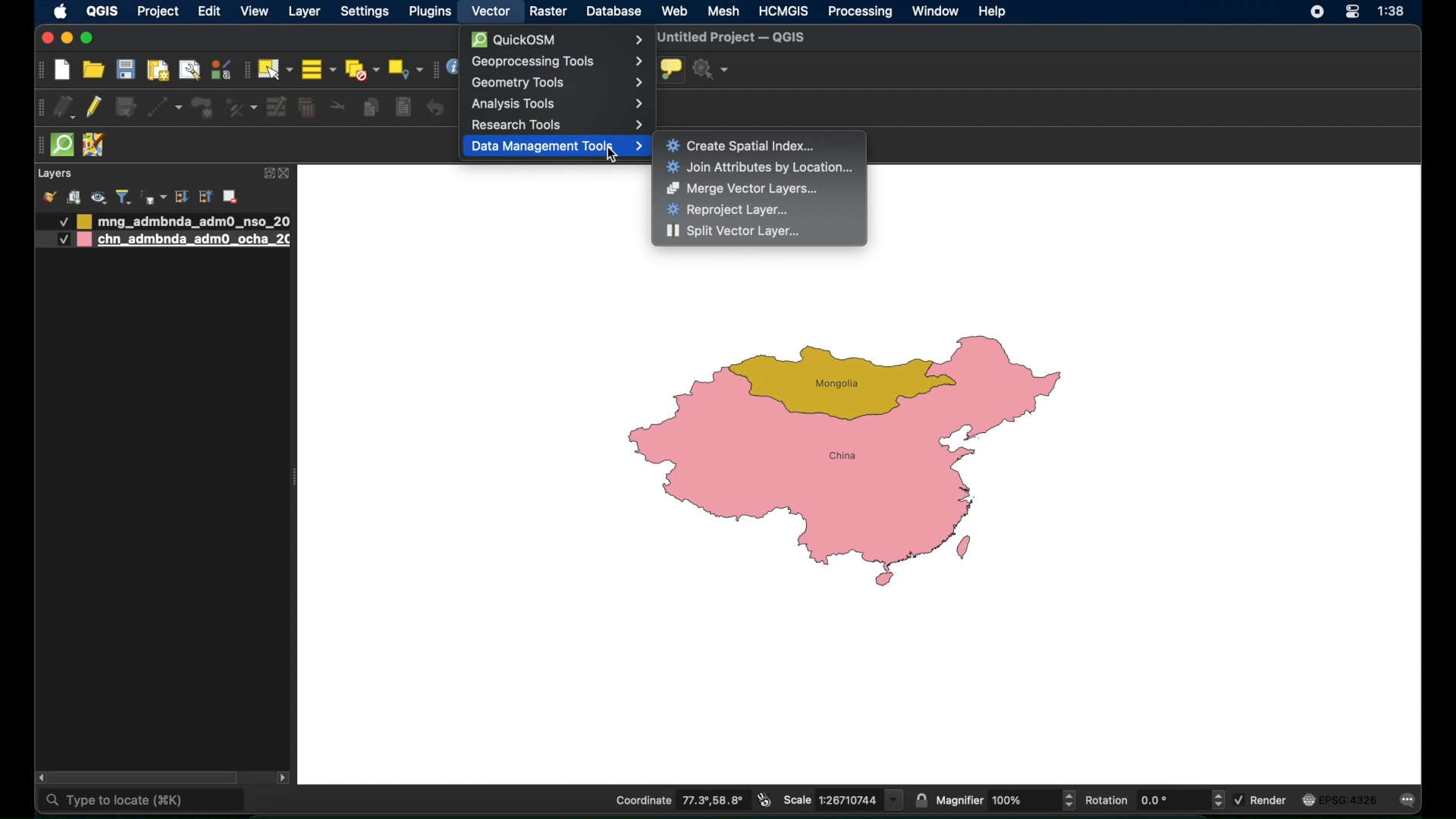 The height and width of the screenshot is (819, 1456). What do you see at coordinates (102, 11) in the screenshot?
I see `QGIS` at bounding box center [102, 11].